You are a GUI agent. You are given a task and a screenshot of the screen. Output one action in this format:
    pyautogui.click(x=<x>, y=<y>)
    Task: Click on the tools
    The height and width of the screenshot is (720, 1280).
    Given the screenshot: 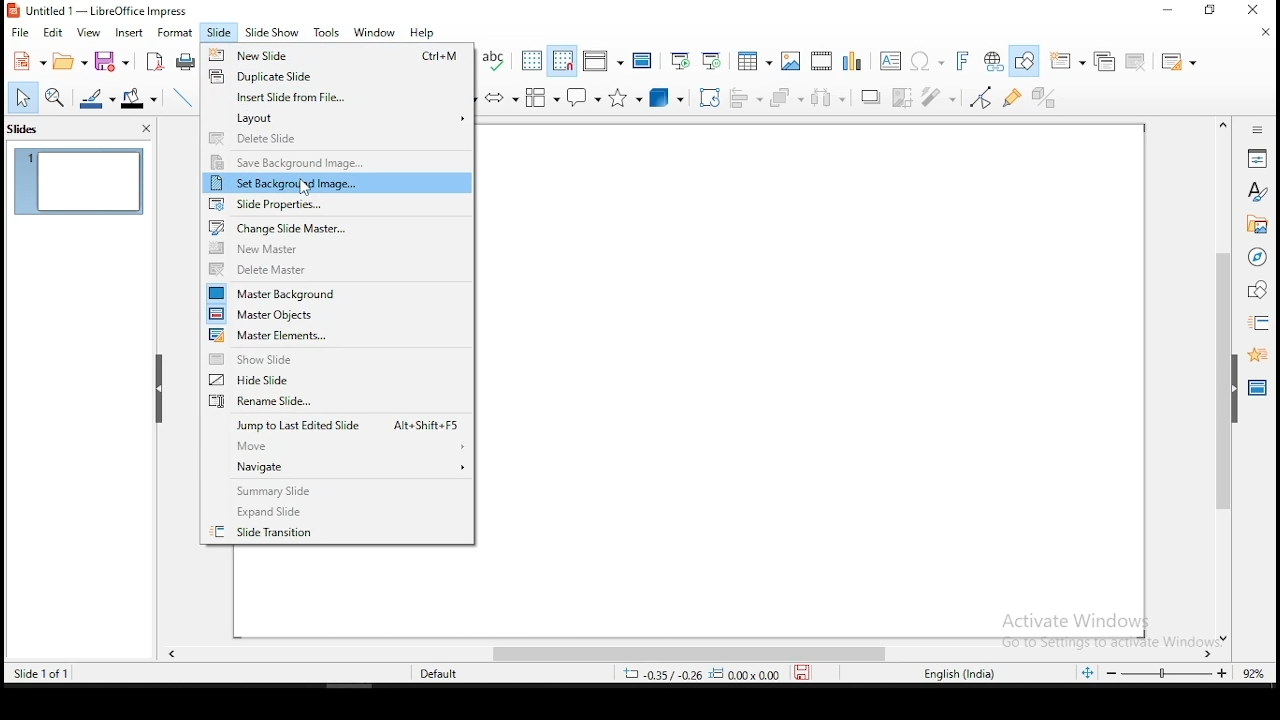 What is the action you would take?
    pyautogui.click(x=329, y=32)
    